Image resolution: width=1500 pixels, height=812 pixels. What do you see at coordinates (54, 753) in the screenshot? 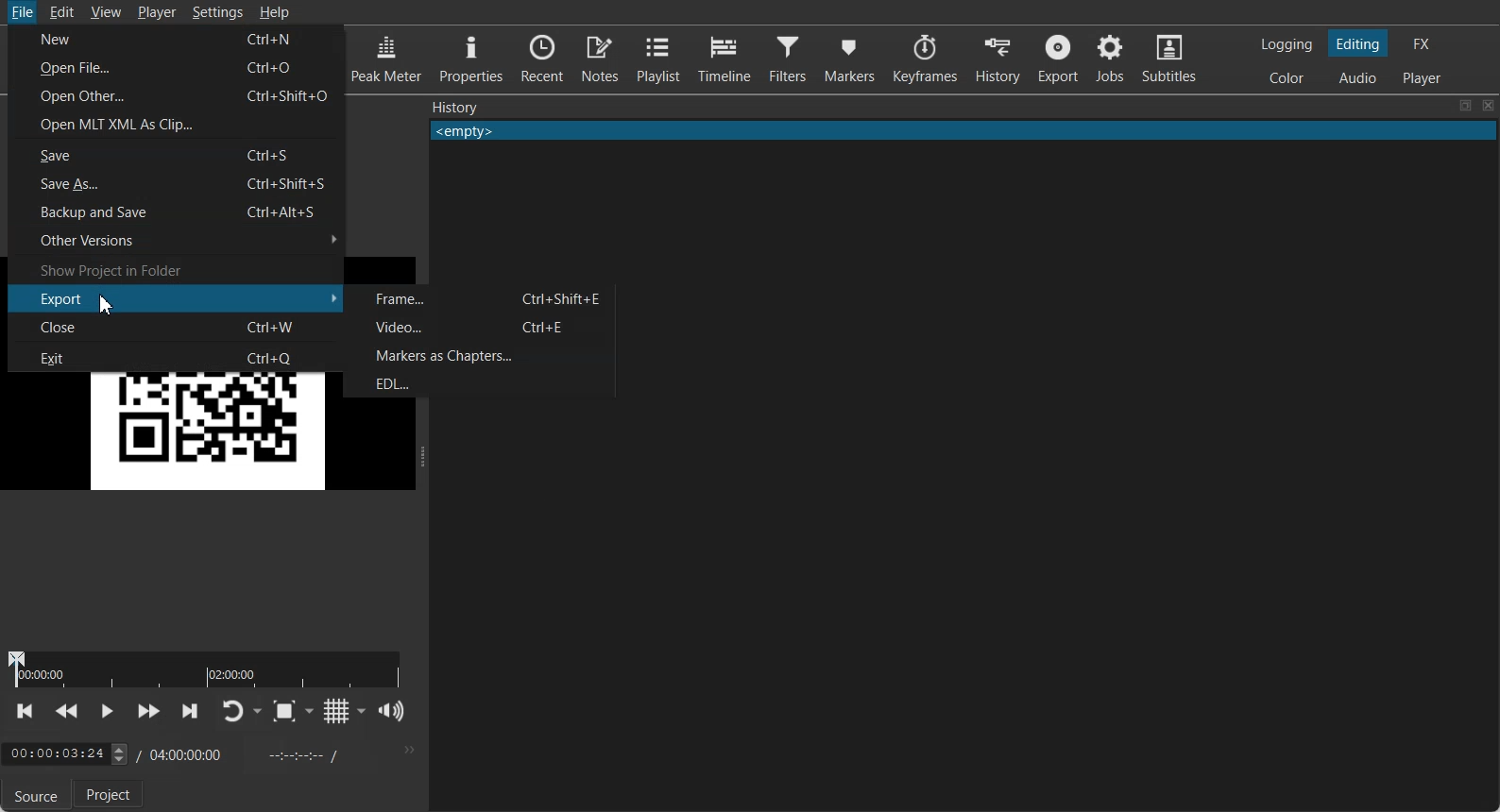
I see `Time` at bounding box center [54, 753].